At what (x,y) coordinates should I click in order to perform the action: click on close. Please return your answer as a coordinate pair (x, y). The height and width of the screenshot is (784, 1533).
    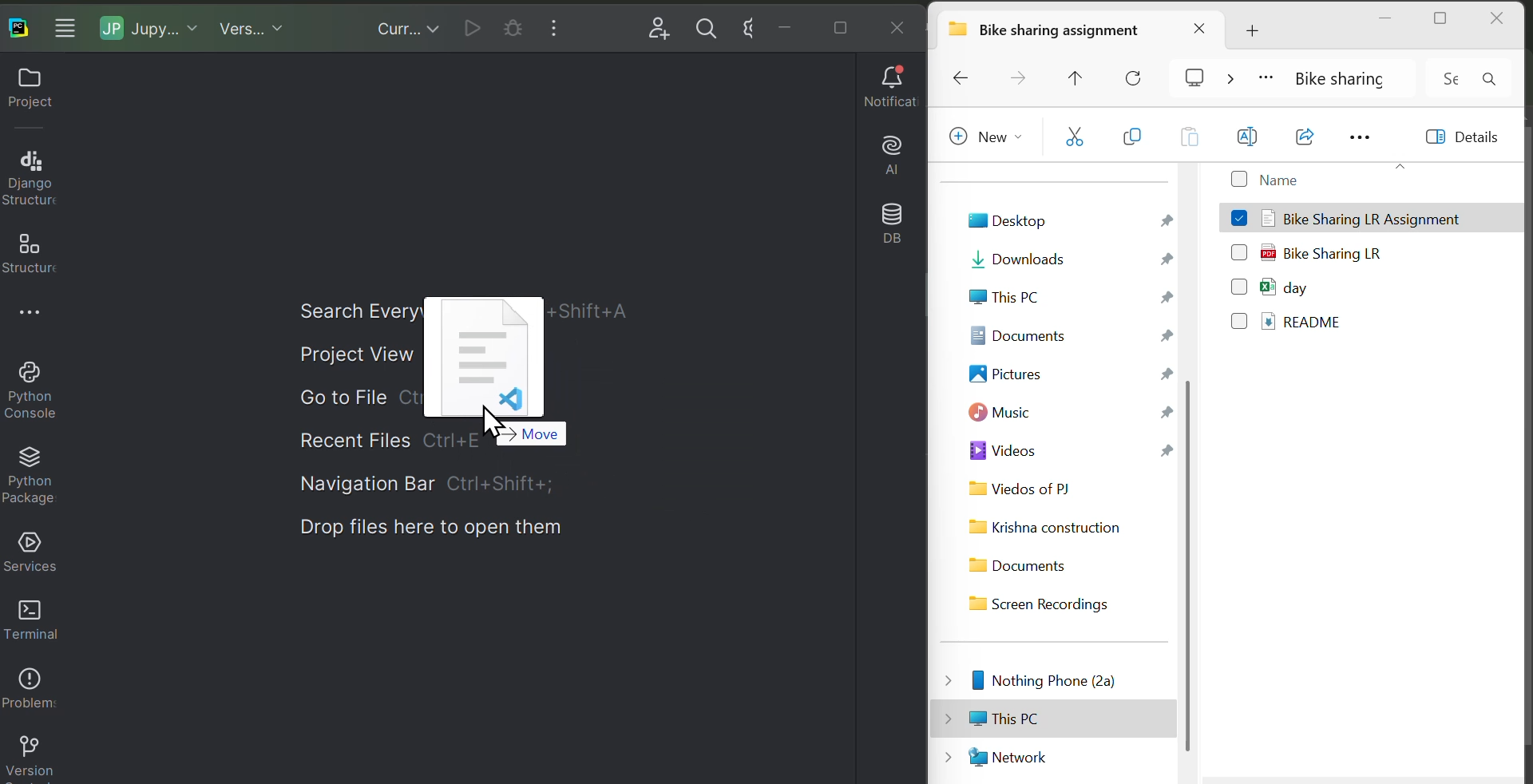
    Looking at the image, I should click on (1498, 21).